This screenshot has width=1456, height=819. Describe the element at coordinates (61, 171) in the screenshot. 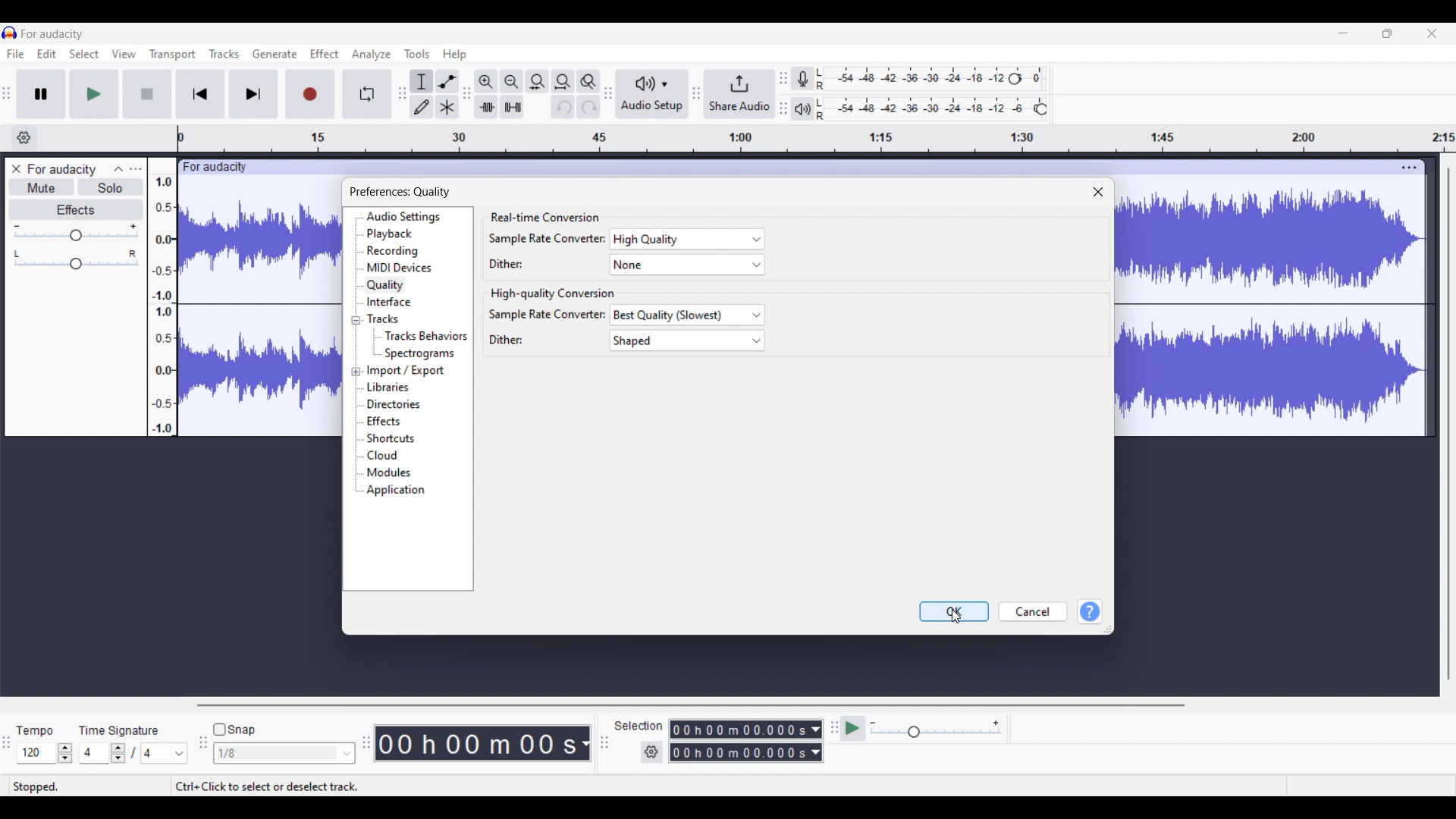

I see `Project name` at that location.